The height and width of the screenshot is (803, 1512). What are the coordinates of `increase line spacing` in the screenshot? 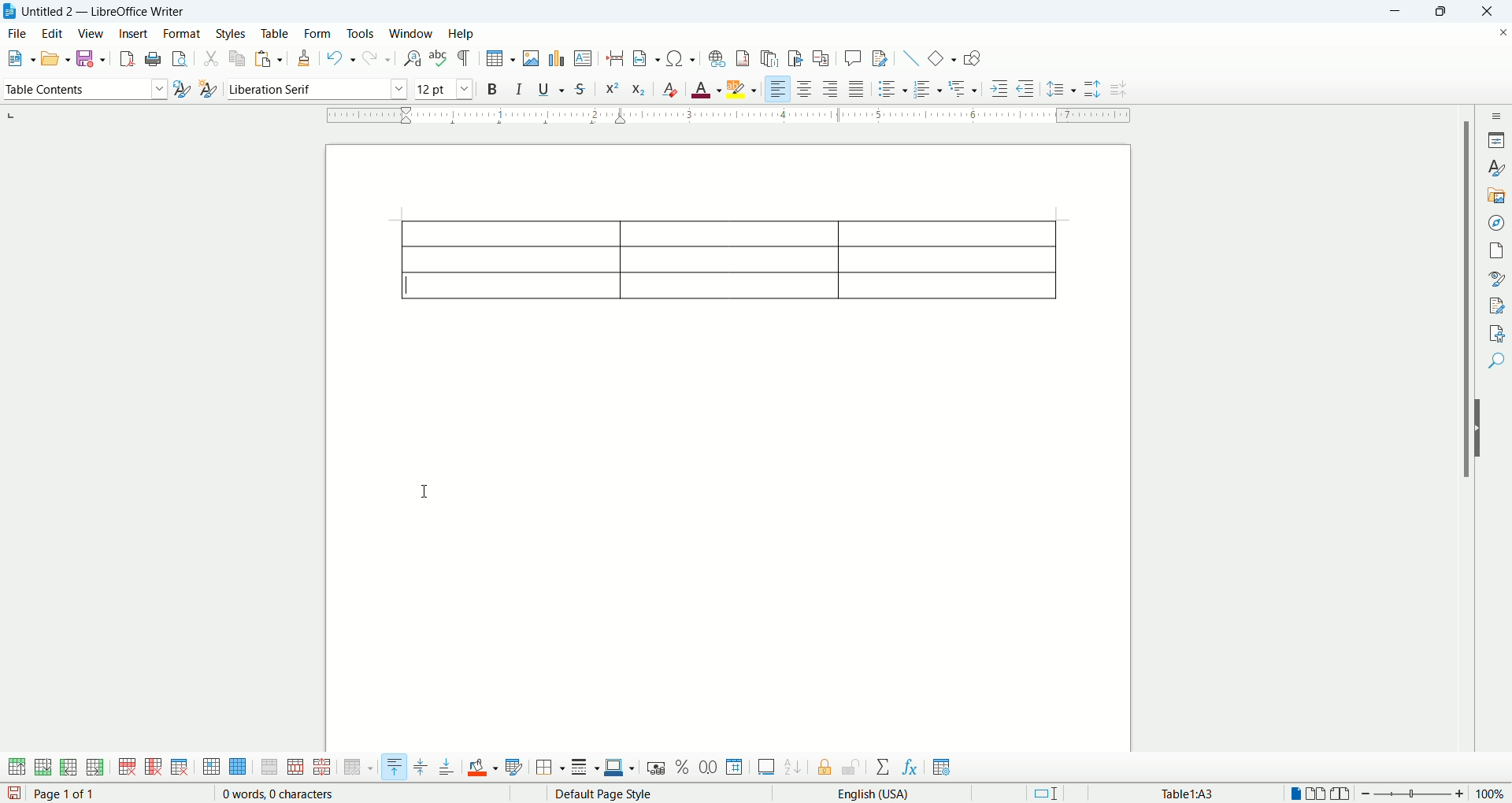 It's located at (1091, 91).